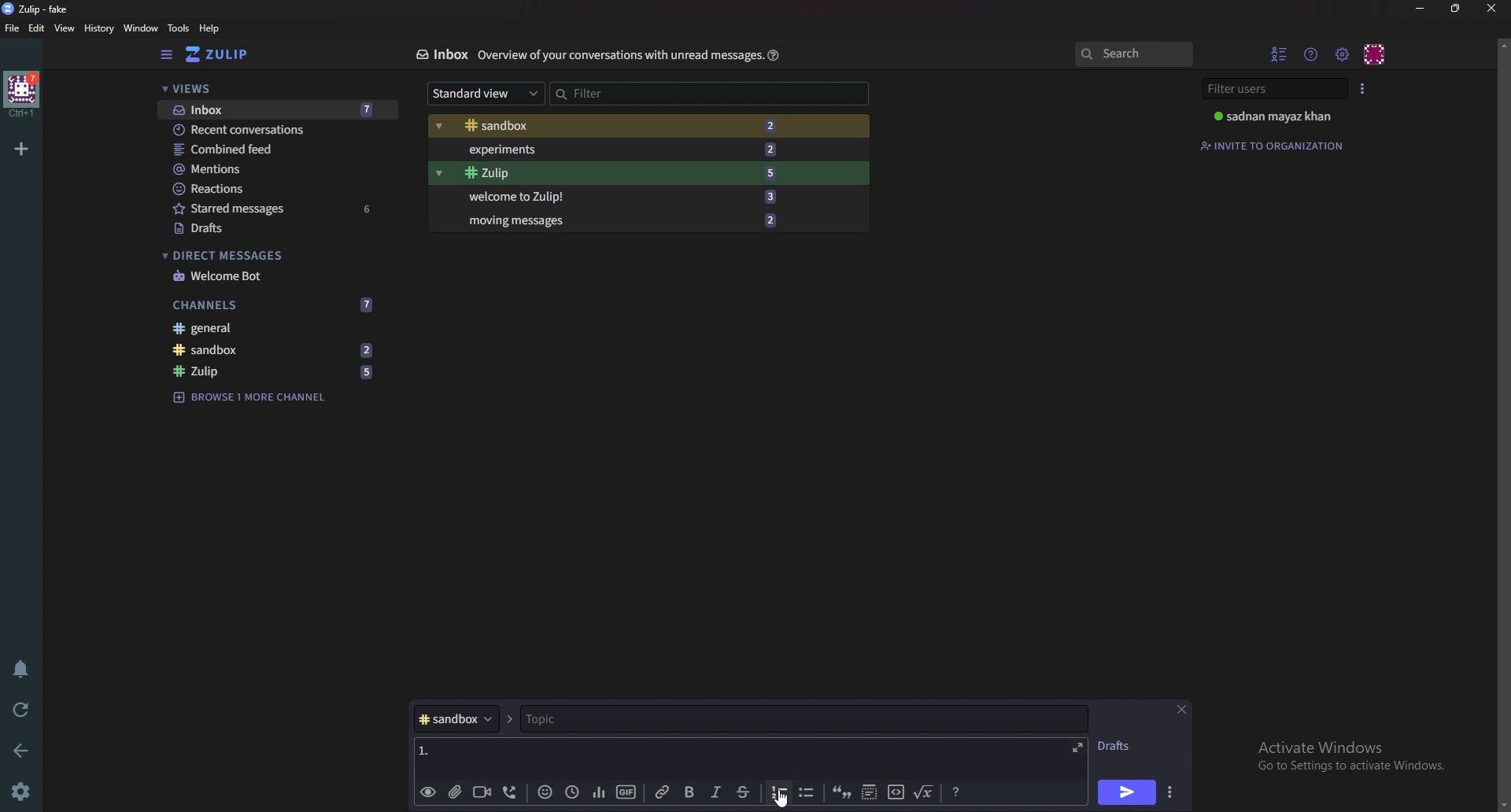 The width and height of the screenshot is (1511, 812). What do you see at coordinates (663, 792) in the screenshot?
I see `link` at bounding box center [663, 792].